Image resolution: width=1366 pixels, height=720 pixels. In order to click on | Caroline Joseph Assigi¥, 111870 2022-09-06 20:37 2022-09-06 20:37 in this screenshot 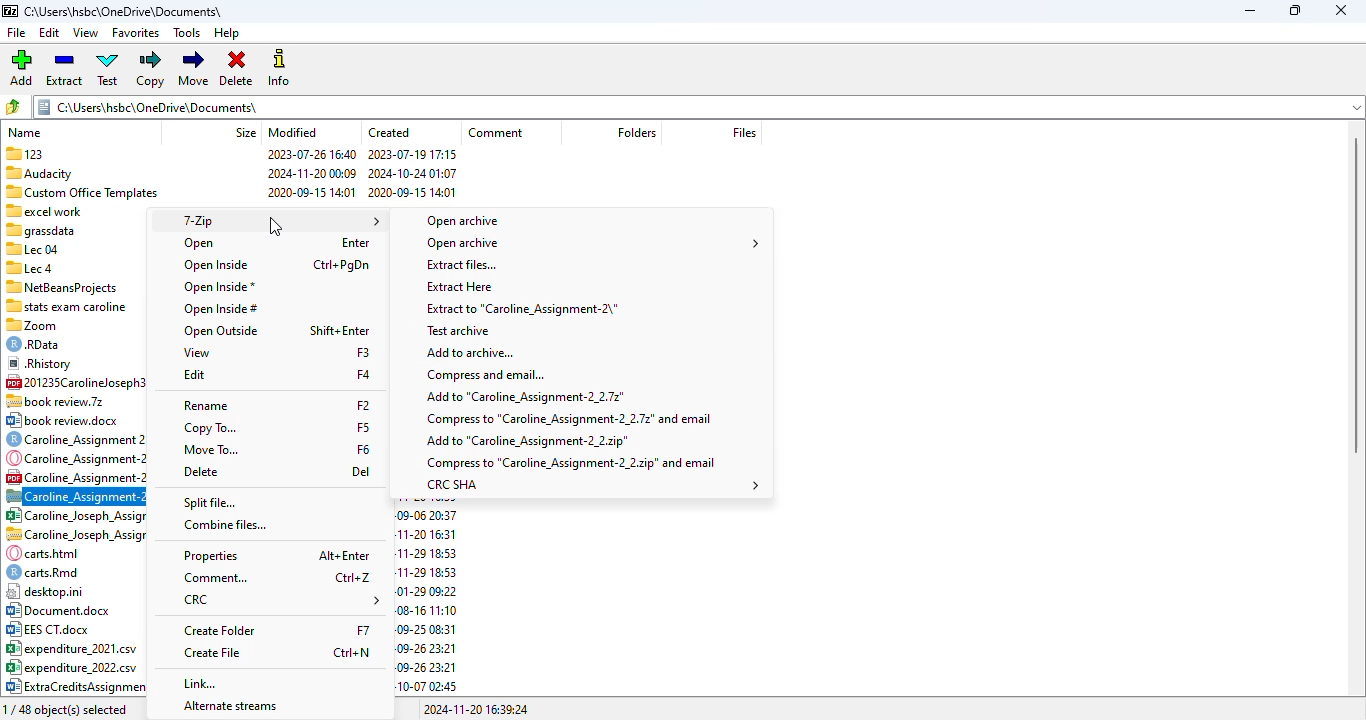, I will do `click(76, 515)`.